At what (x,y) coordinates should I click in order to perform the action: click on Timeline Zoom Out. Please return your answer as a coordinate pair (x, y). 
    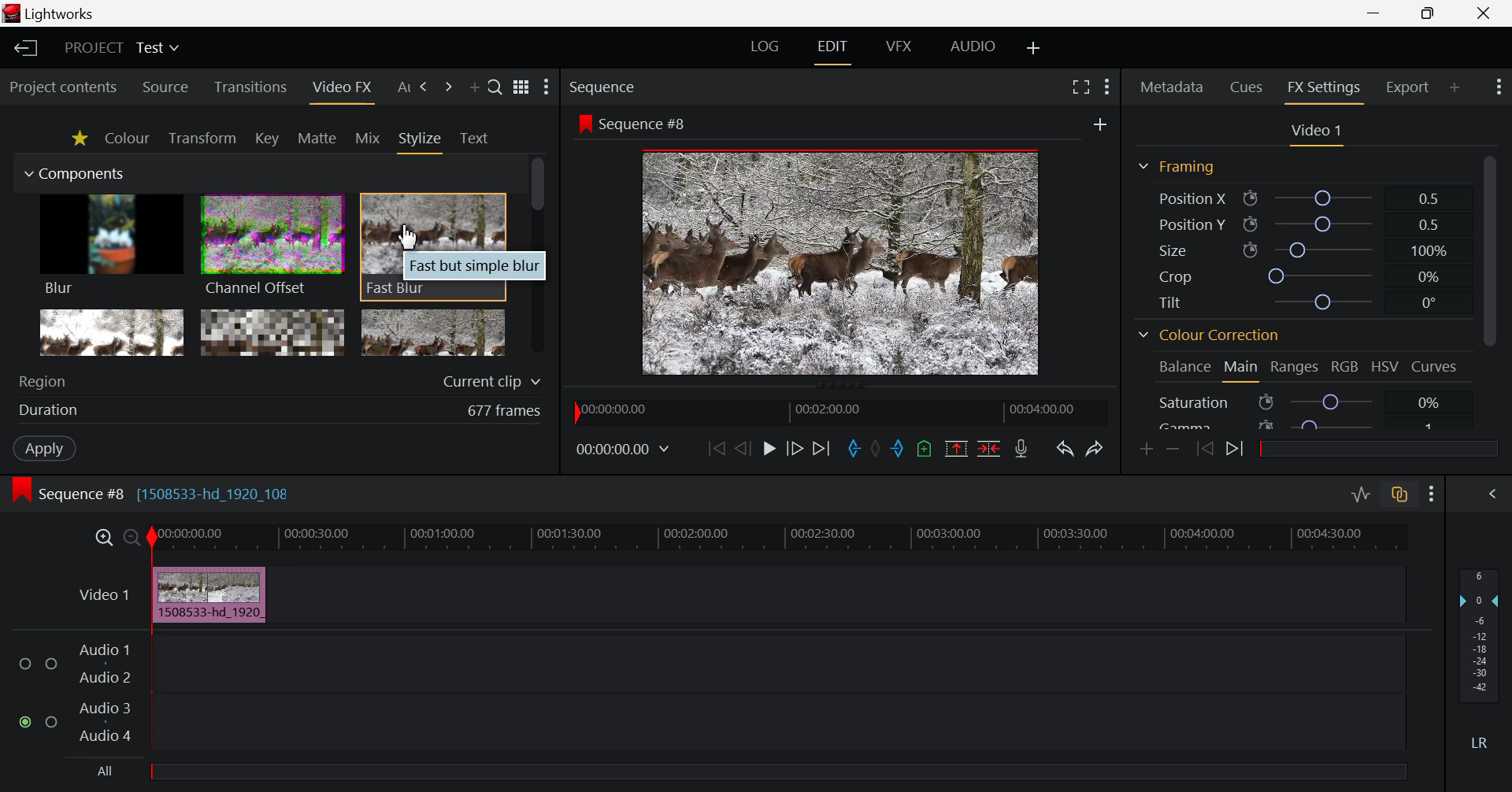
    Looking at the image, I should click on (129, 535).